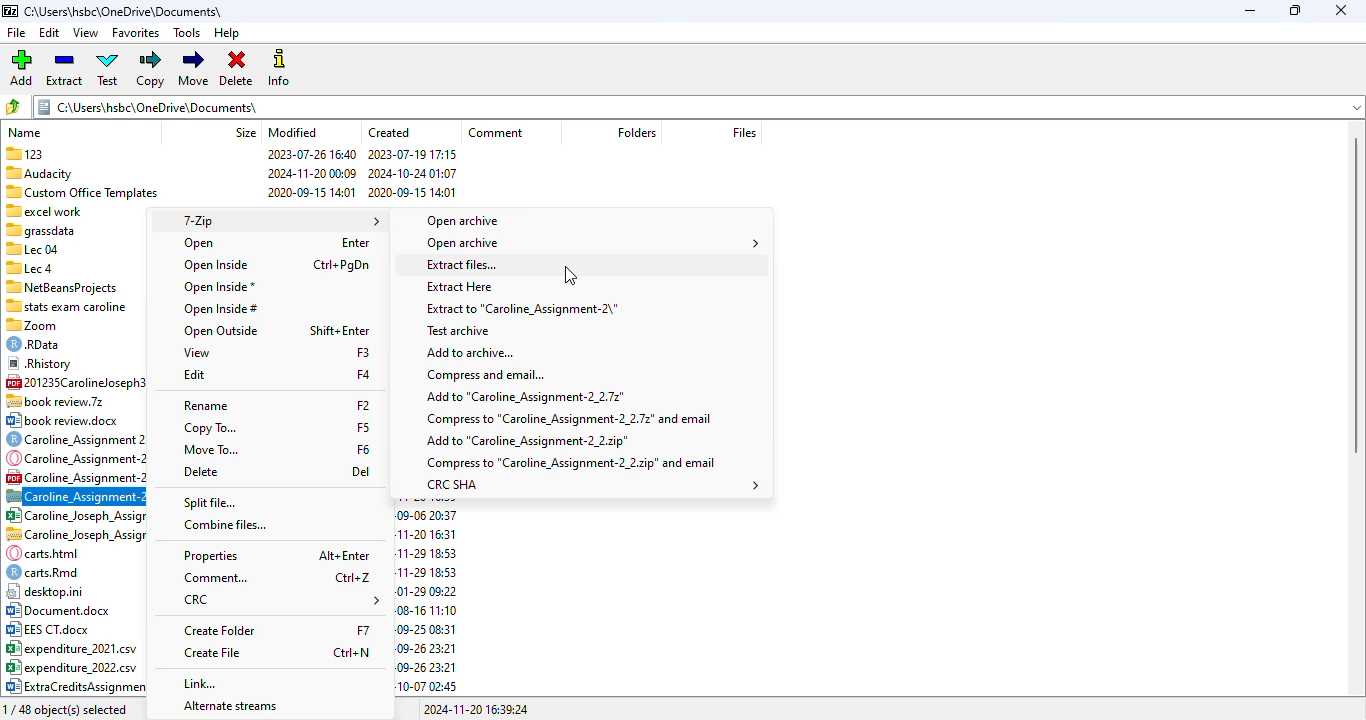 Image resolution: width=1366 pixels, height=720 pixels. Describe the element at coordinates (356, 242) in the screenshot. I see `shortcut for open` at that location.